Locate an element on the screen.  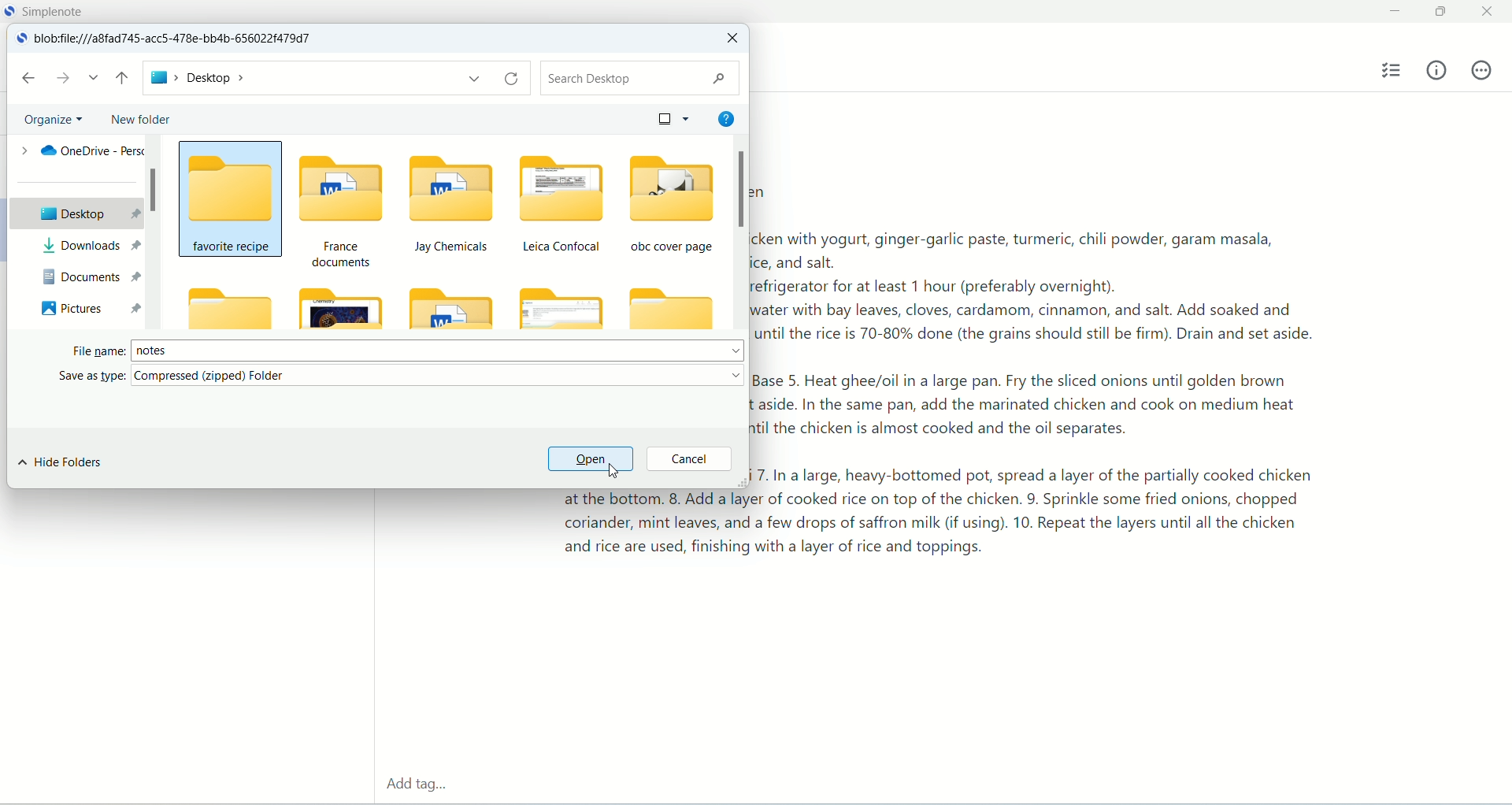
cursor is located at coordinates (617, 471).